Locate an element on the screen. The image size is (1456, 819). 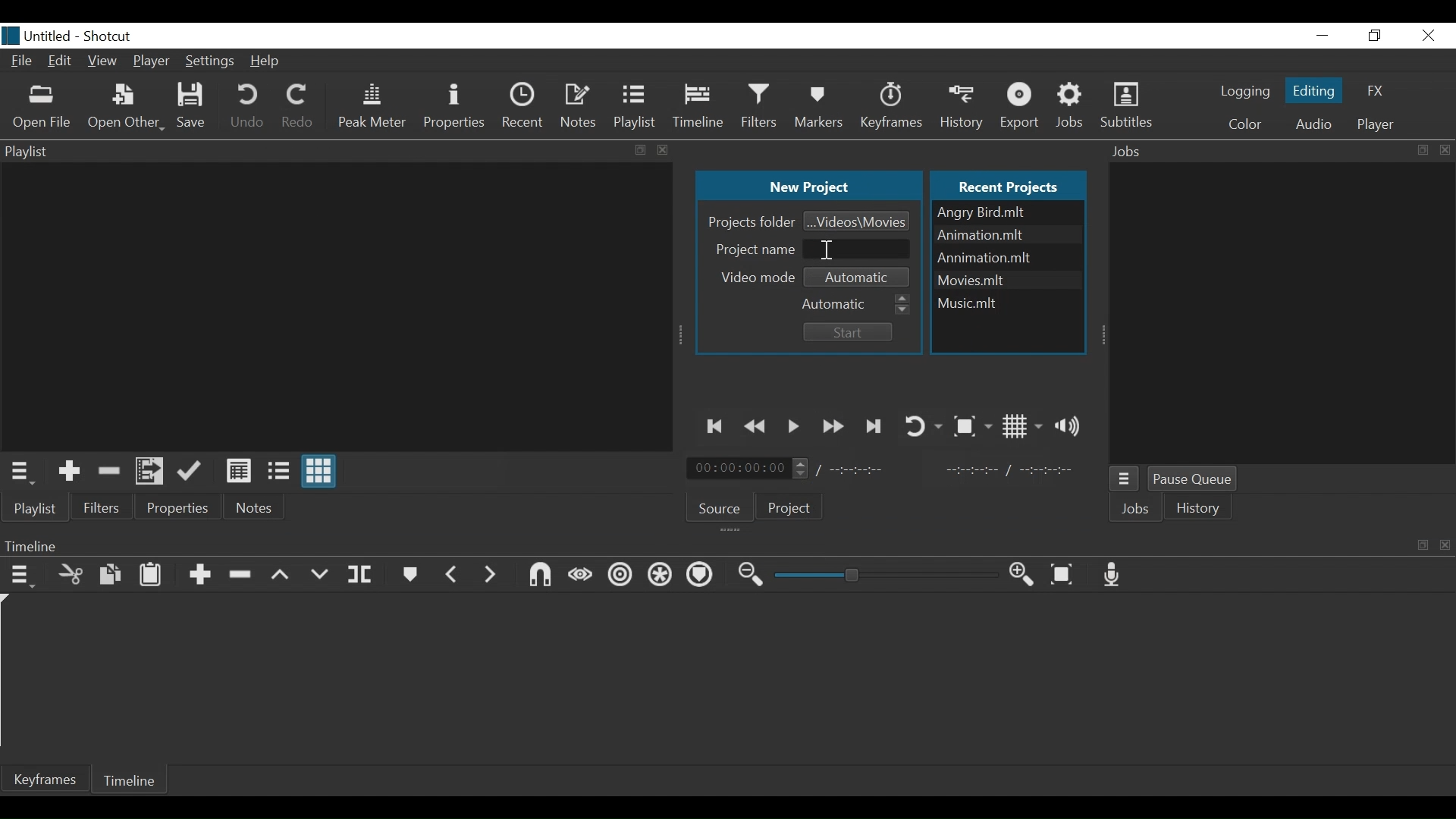
Skip to the next point is located at coordinates (874, 426).